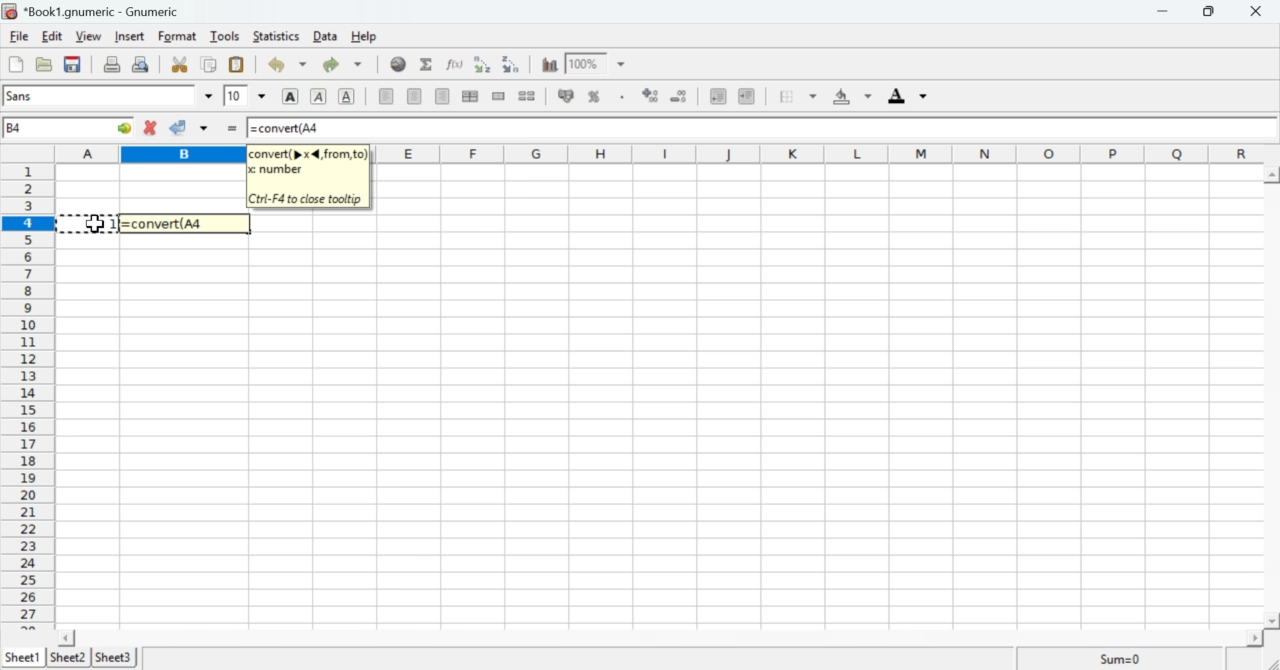 The height and width of the screenshot is (670, 1280). What do you see at coordinates (46, 65) in the screenshot?
I see `Open a file` at bounding box center [46, 65].